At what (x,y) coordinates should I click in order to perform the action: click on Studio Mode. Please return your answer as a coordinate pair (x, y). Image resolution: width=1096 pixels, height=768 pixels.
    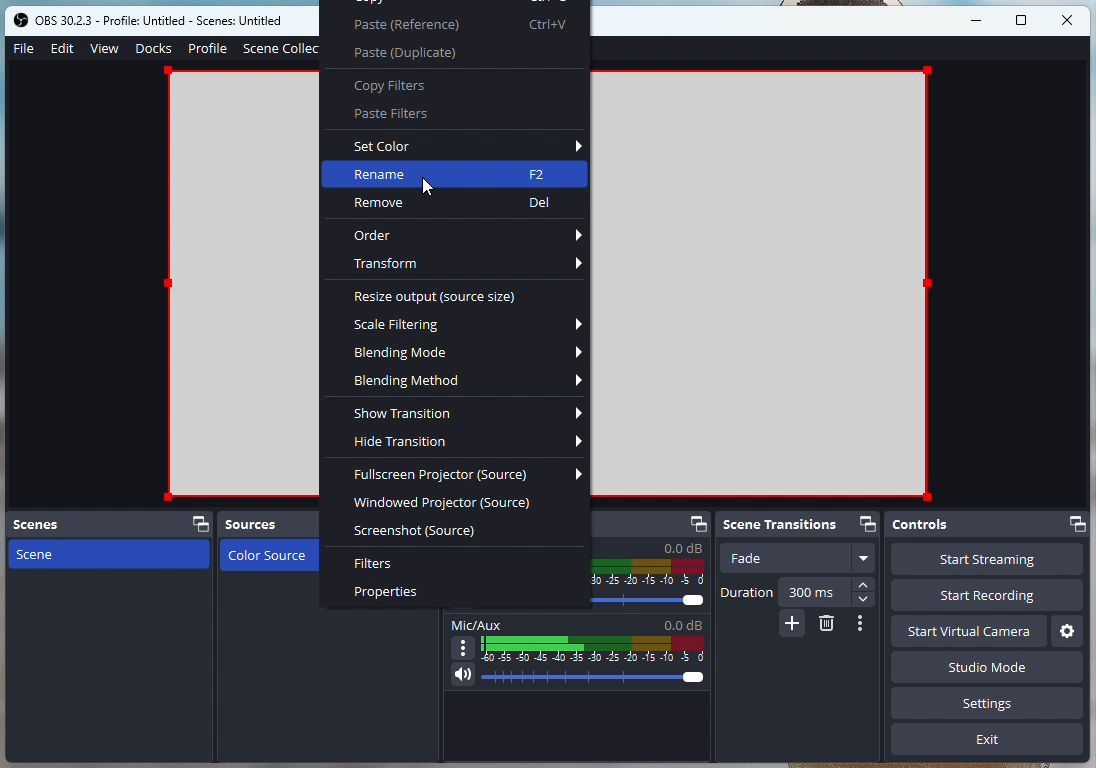
    Looking at the image, I should click on (928, 670).